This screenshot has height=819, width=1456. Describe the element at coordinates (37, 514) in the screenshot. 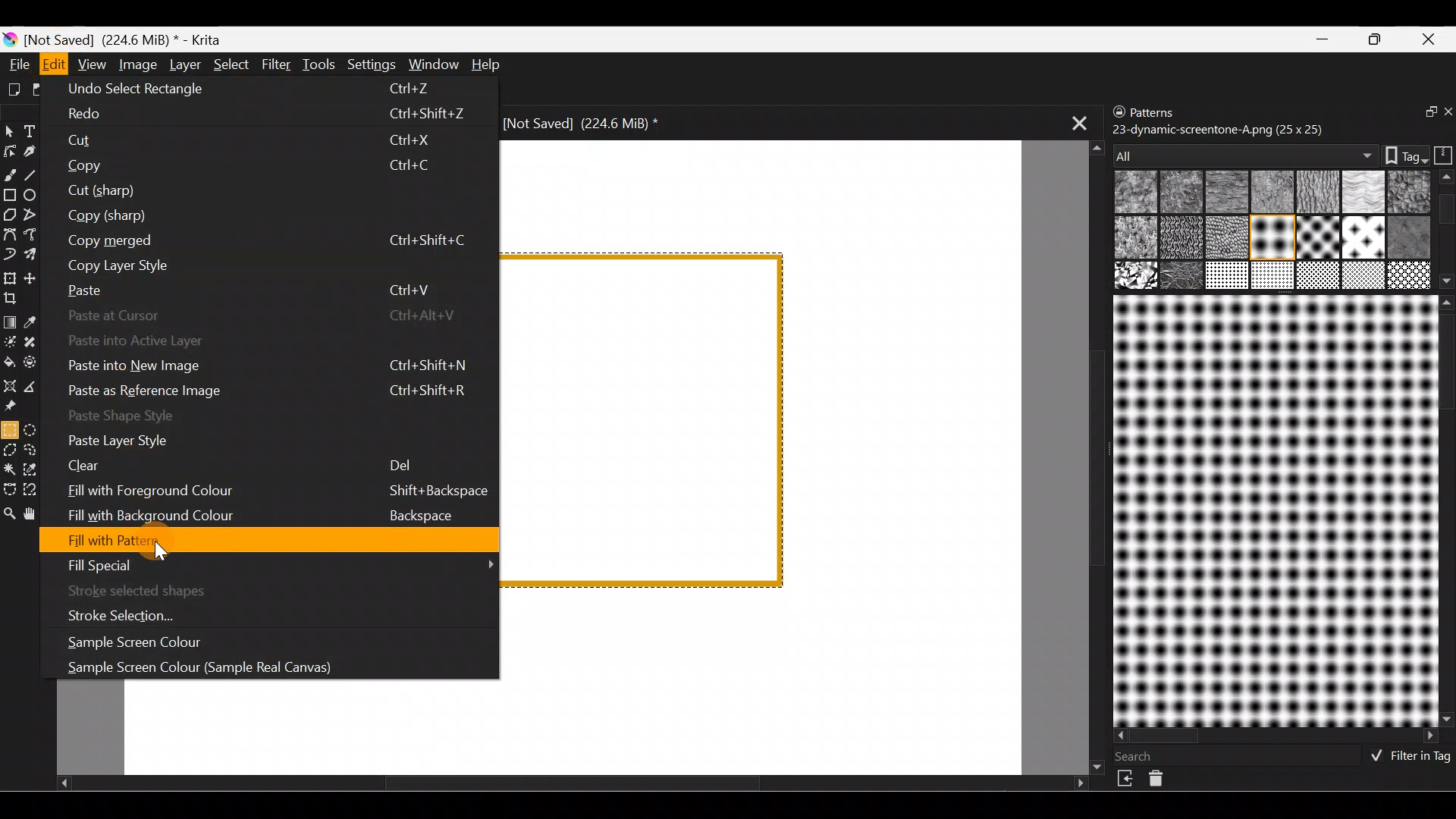

I see `Pan tool` at that location.